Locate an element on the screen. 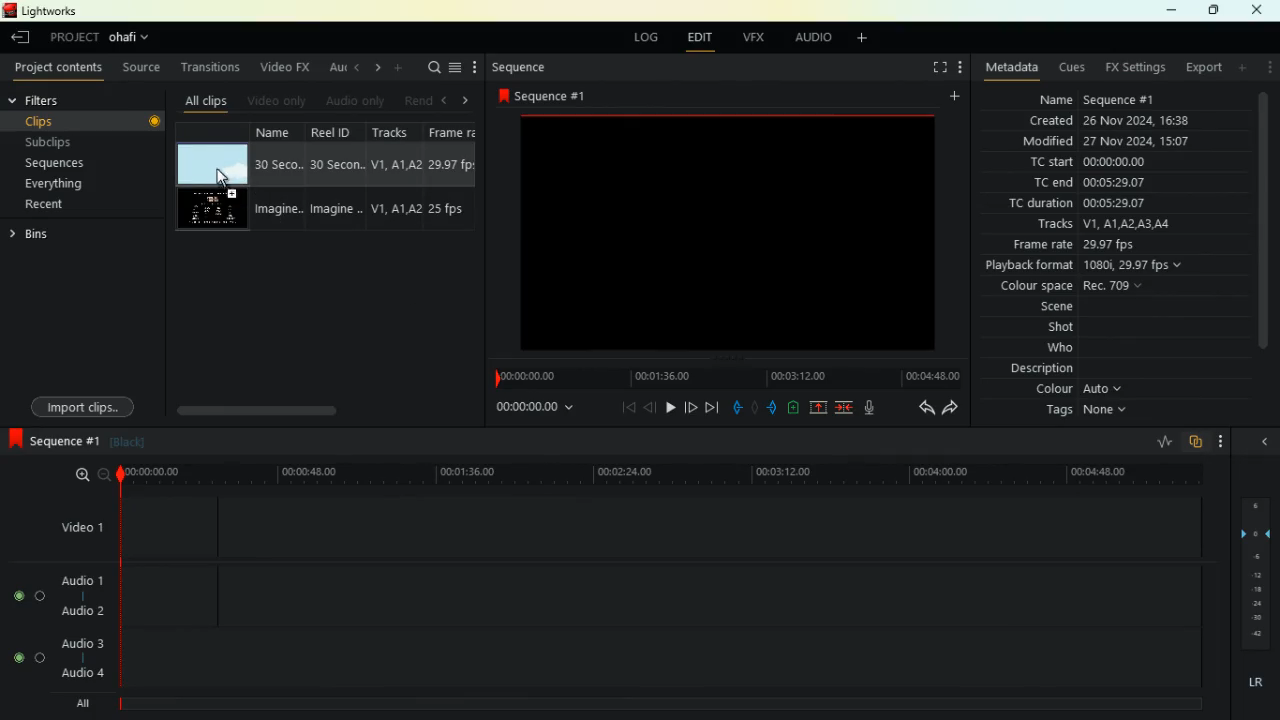 This screenshot has width=1280, height=720.  Rec. 709  is located at coordinates (1116, 285).